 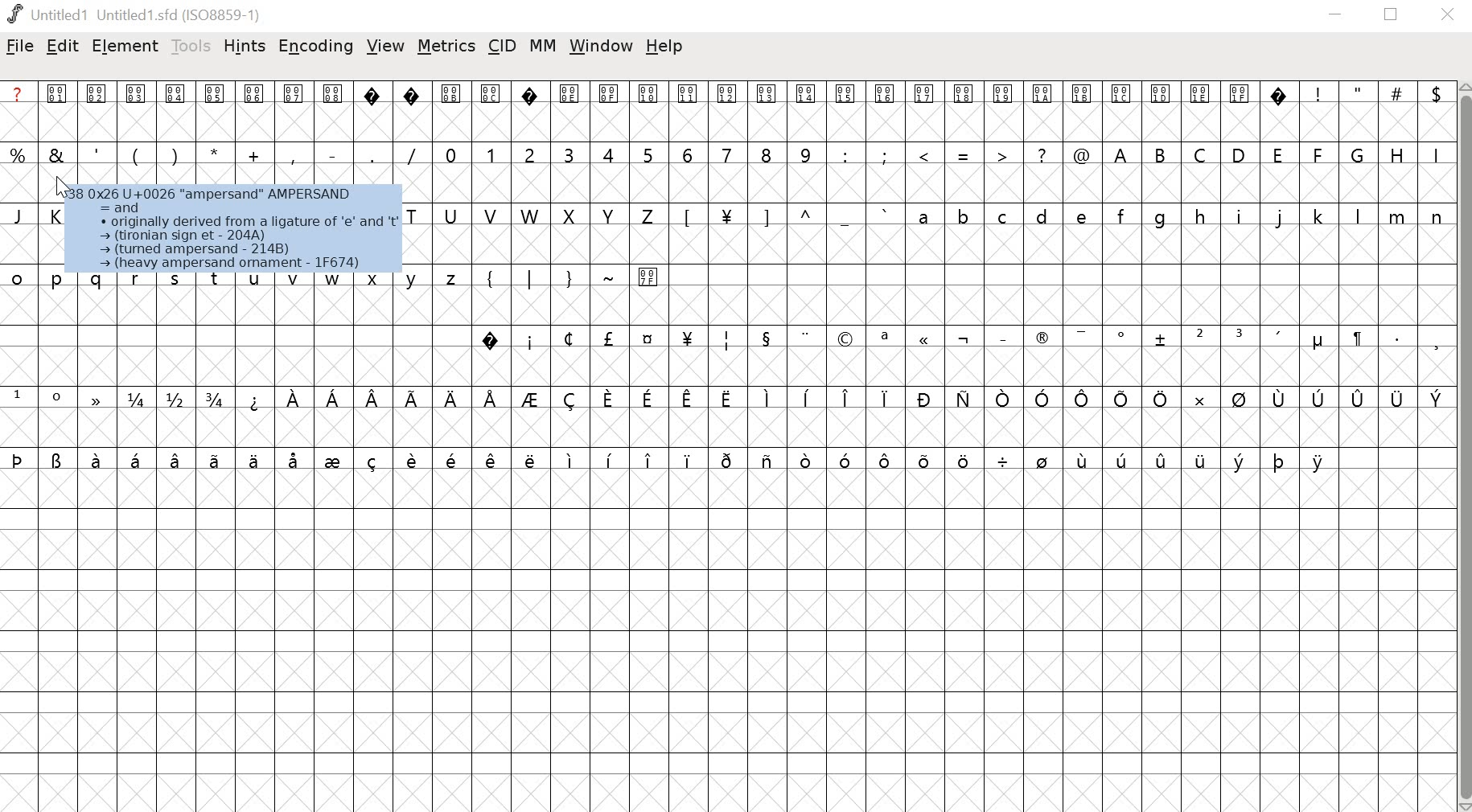 What do you see at coordinates (413, 112) in the screenshot?
I see `?` at bounding box center [413, 112].